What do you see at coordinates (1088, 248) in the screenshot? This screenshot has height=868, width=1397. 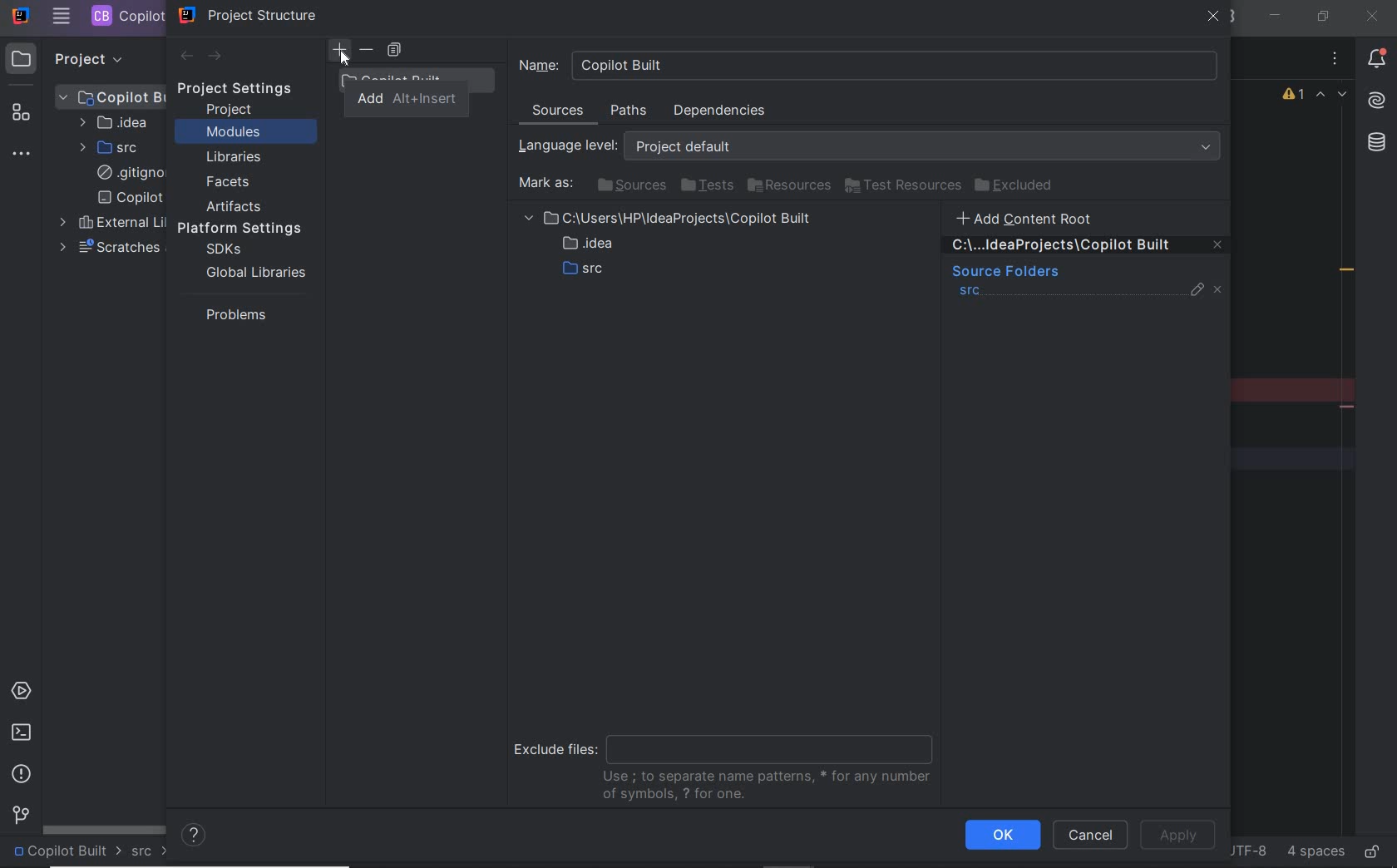 I see `remove content entry` at bounding box center [1088, 248].